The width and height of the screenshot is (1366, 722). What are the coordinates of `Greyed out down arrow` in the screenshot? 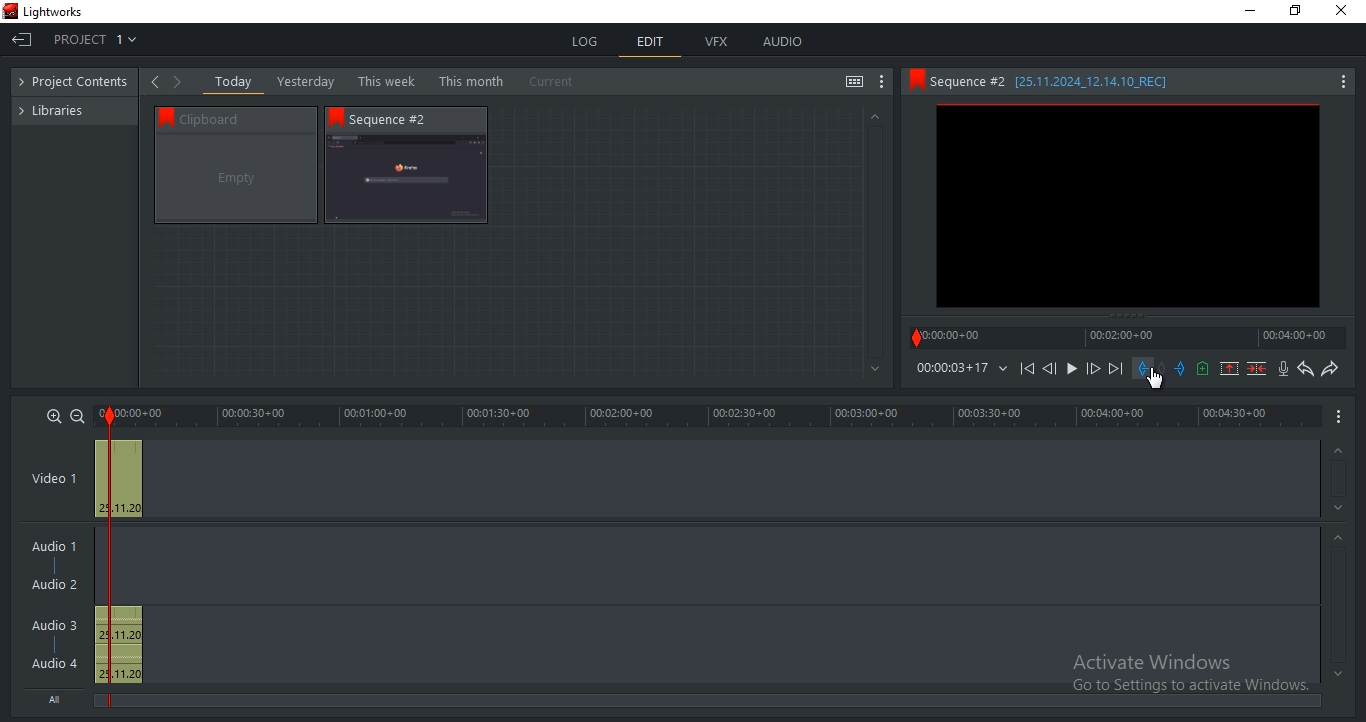 It's located at (876, 370).